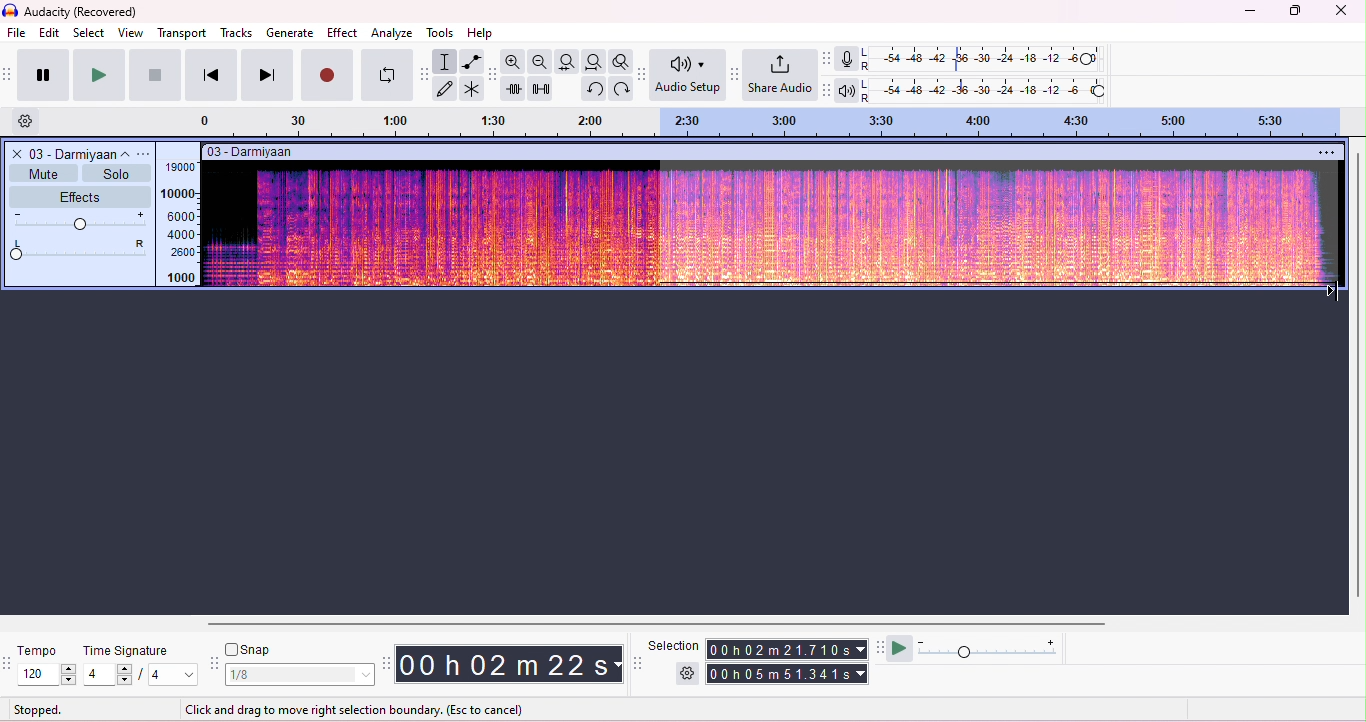 Image resolution: width=1366 pixels, height=722 pixels. I want to click on cursor movement on mouse up, so click(1332, 292).